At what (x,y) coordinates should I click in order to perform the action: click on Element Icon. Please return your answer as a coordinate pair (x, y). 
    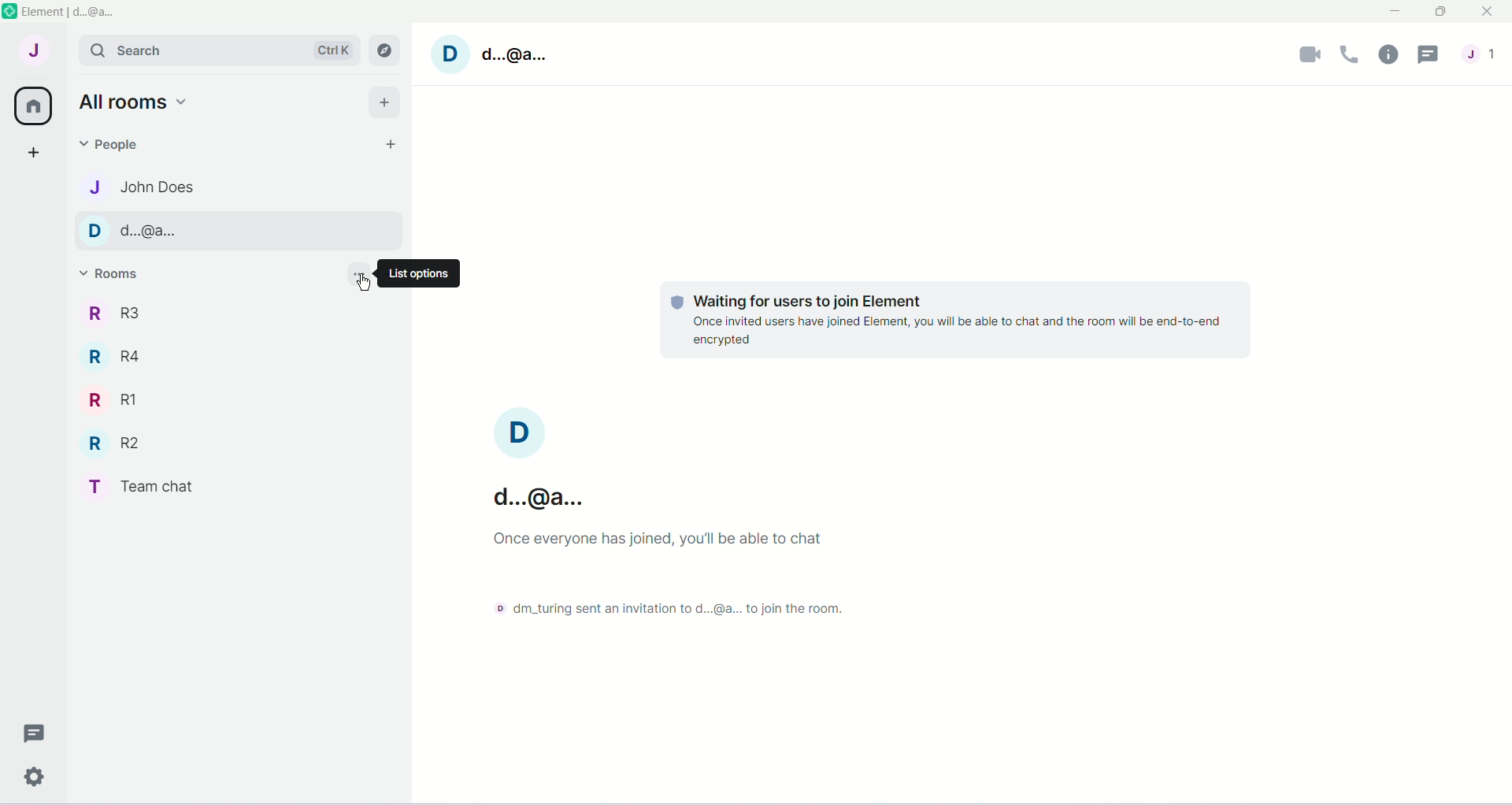
    Looking at the image, I should click on (9, 9).